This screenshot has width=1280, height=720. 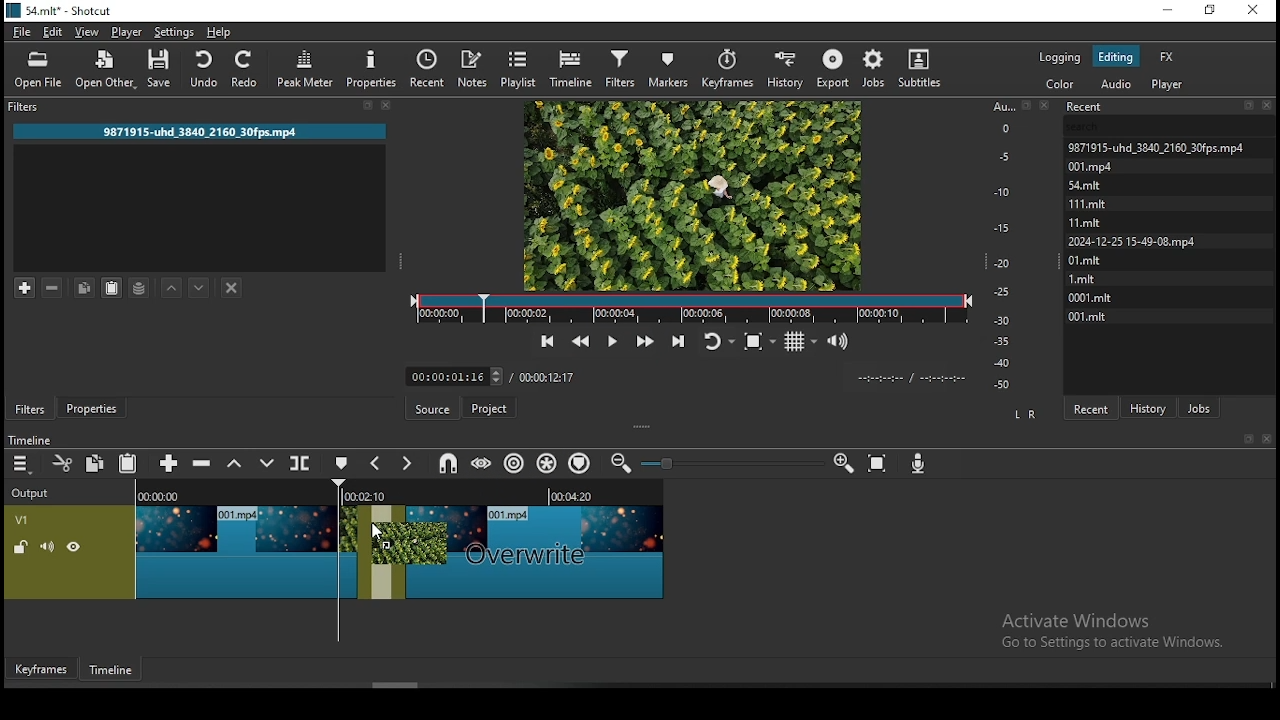 I want to click on mouse pointer, so click(x=383, y=534).